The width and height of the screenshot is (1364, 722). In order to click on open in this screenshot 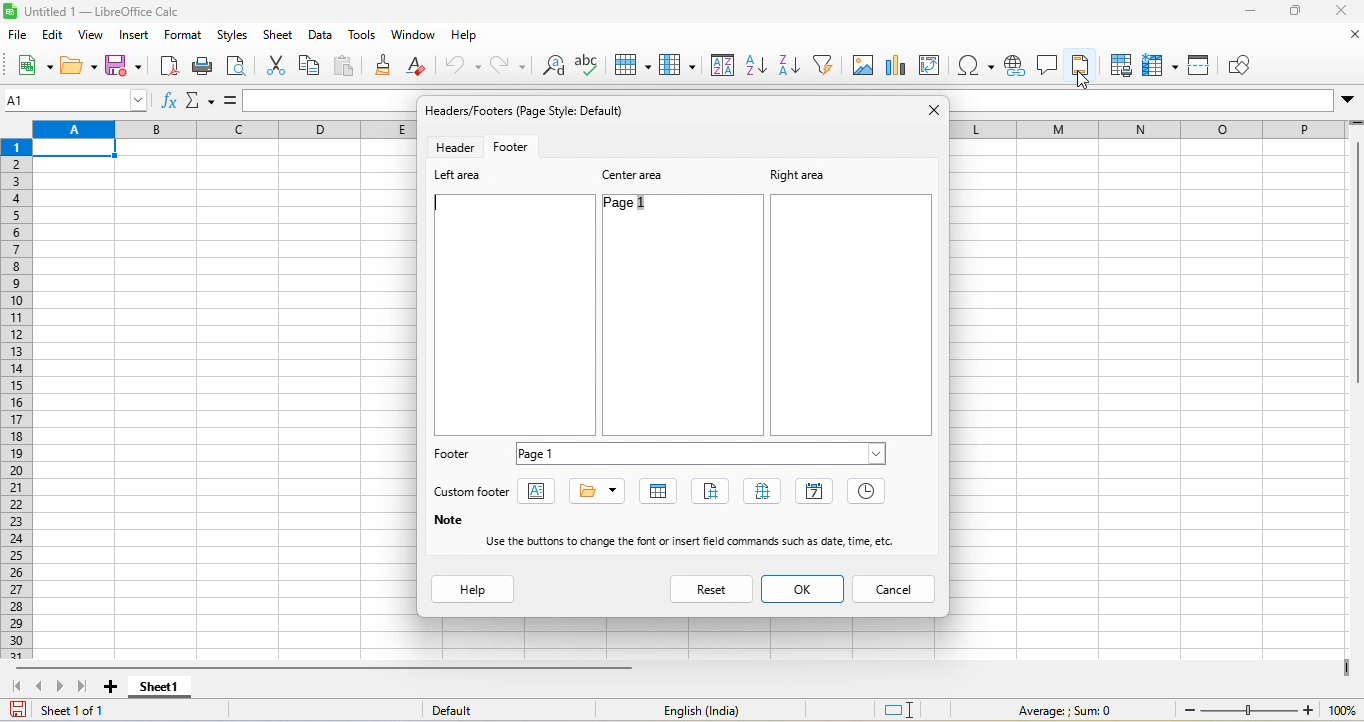, I will do `click(75, 65)`.